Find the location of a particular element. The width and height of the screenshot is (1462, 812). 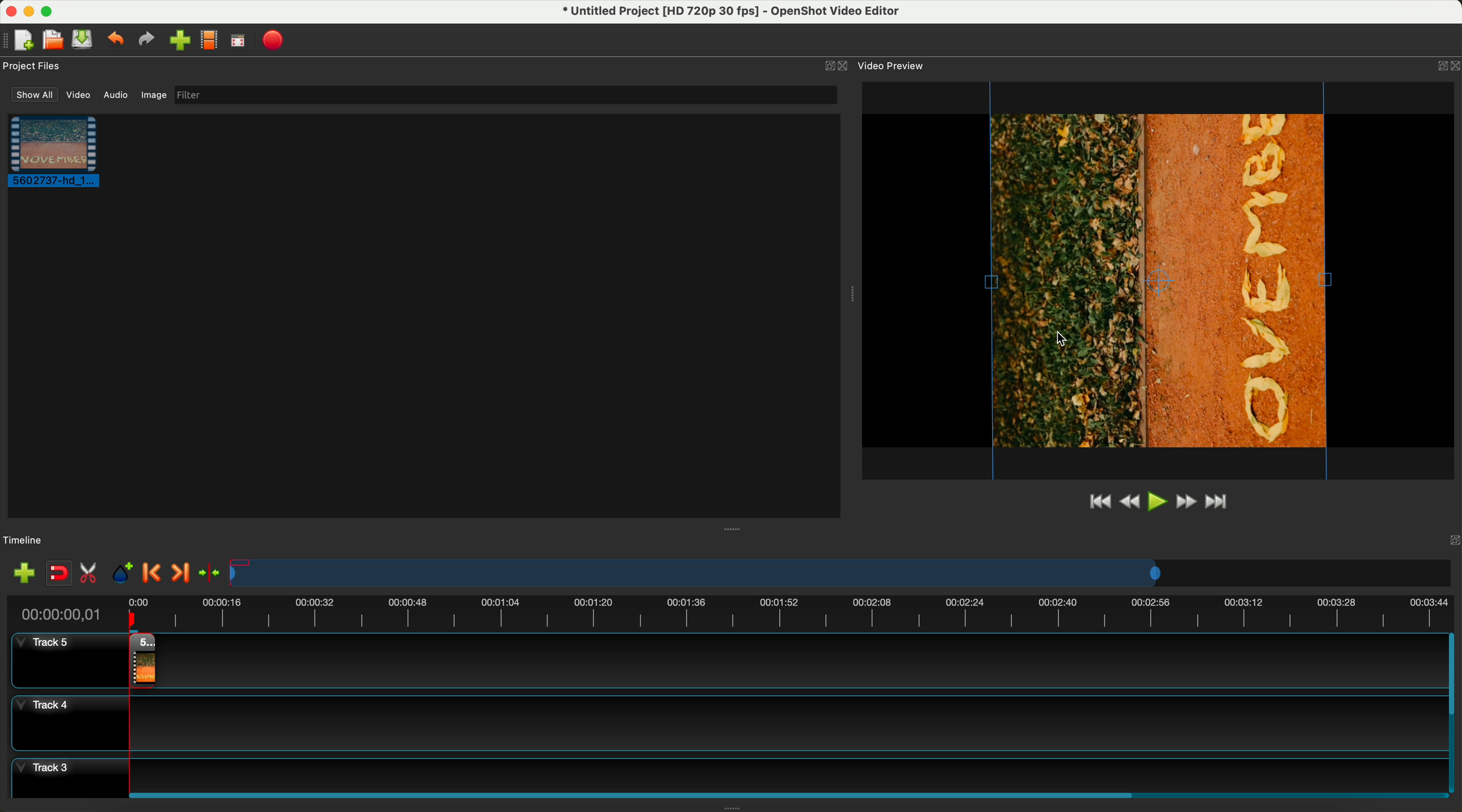

close is located at coordinates (845, 67).